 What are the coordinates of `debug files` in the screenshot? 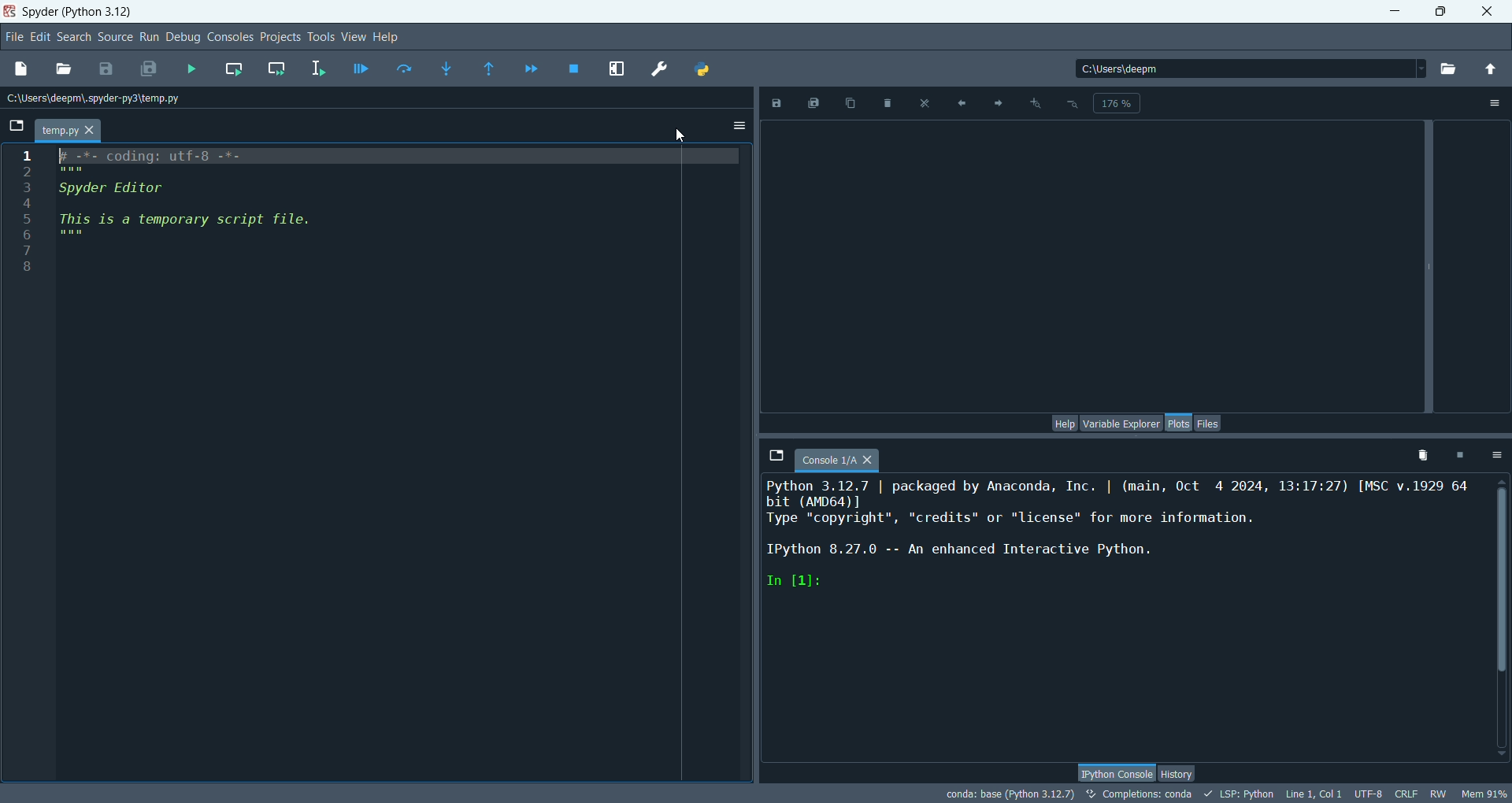 It's located at (363, 71).